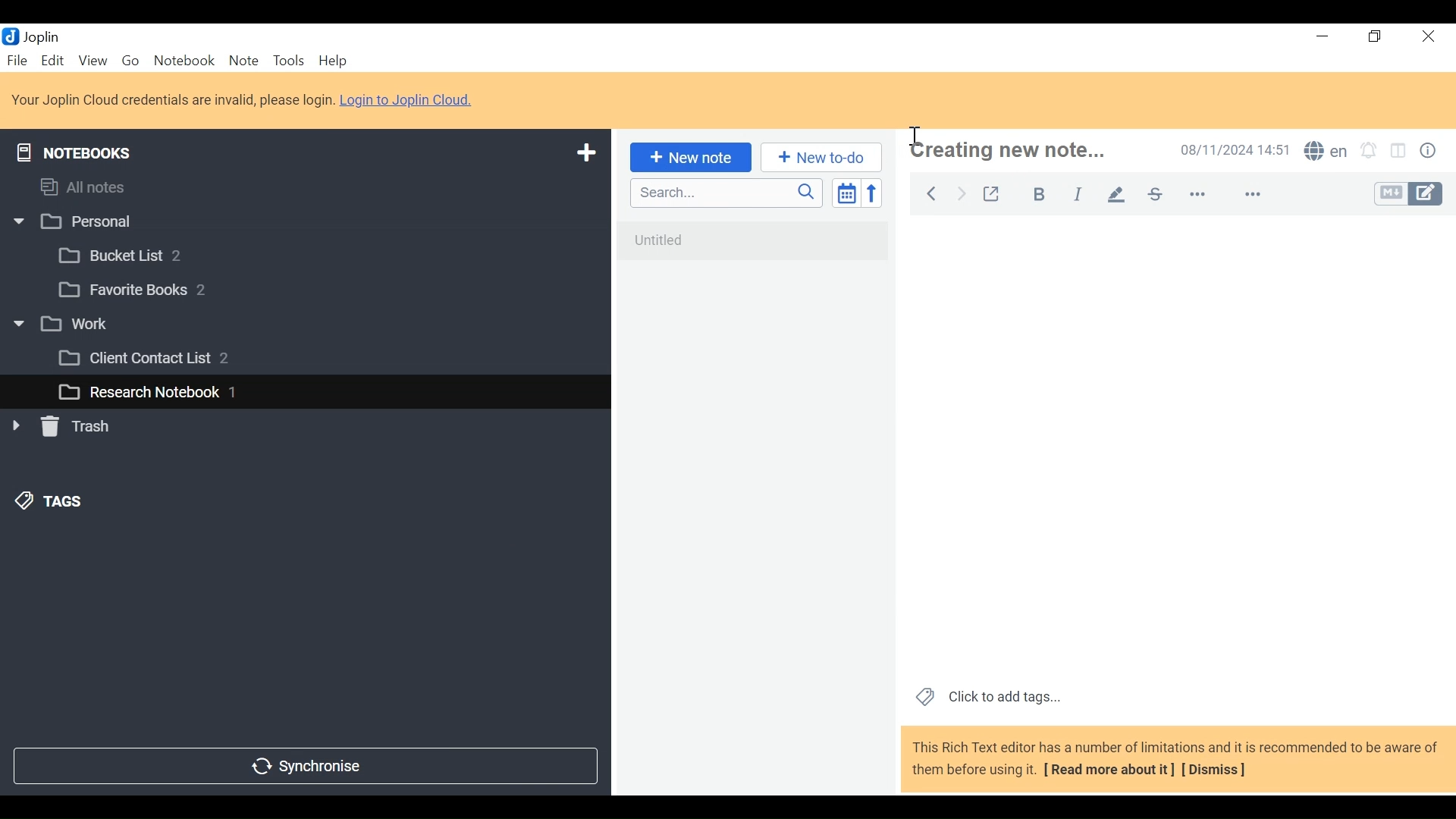 The width and height of the screenshot is (1456, 819). Describe the element at coordinates (875, 193) in the screenshot. I see `Reverse Sort order` at that location.